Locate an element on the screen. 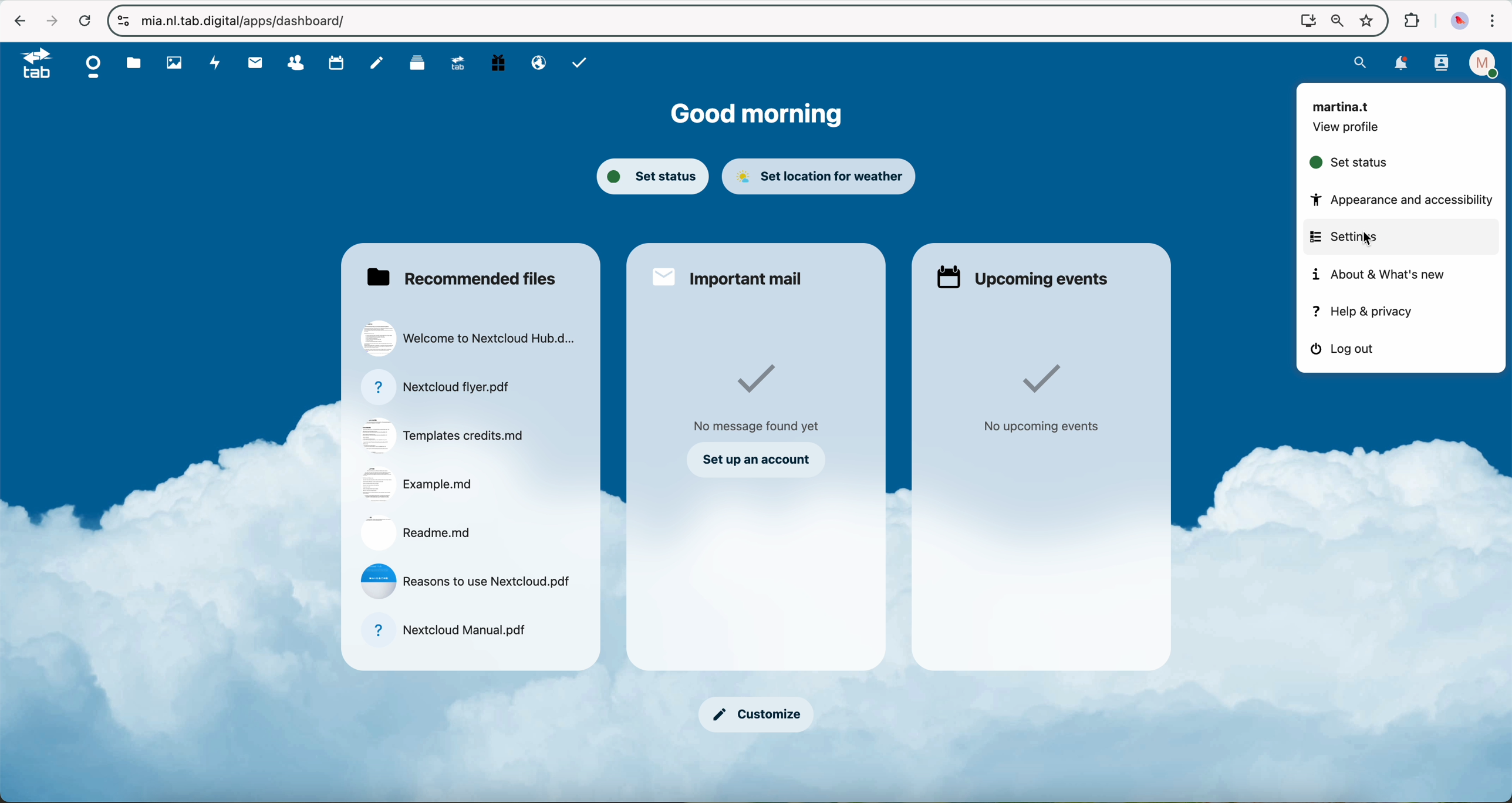 This screenshot has height=803, width=1512. profile is located at coordinates (1480, 63).